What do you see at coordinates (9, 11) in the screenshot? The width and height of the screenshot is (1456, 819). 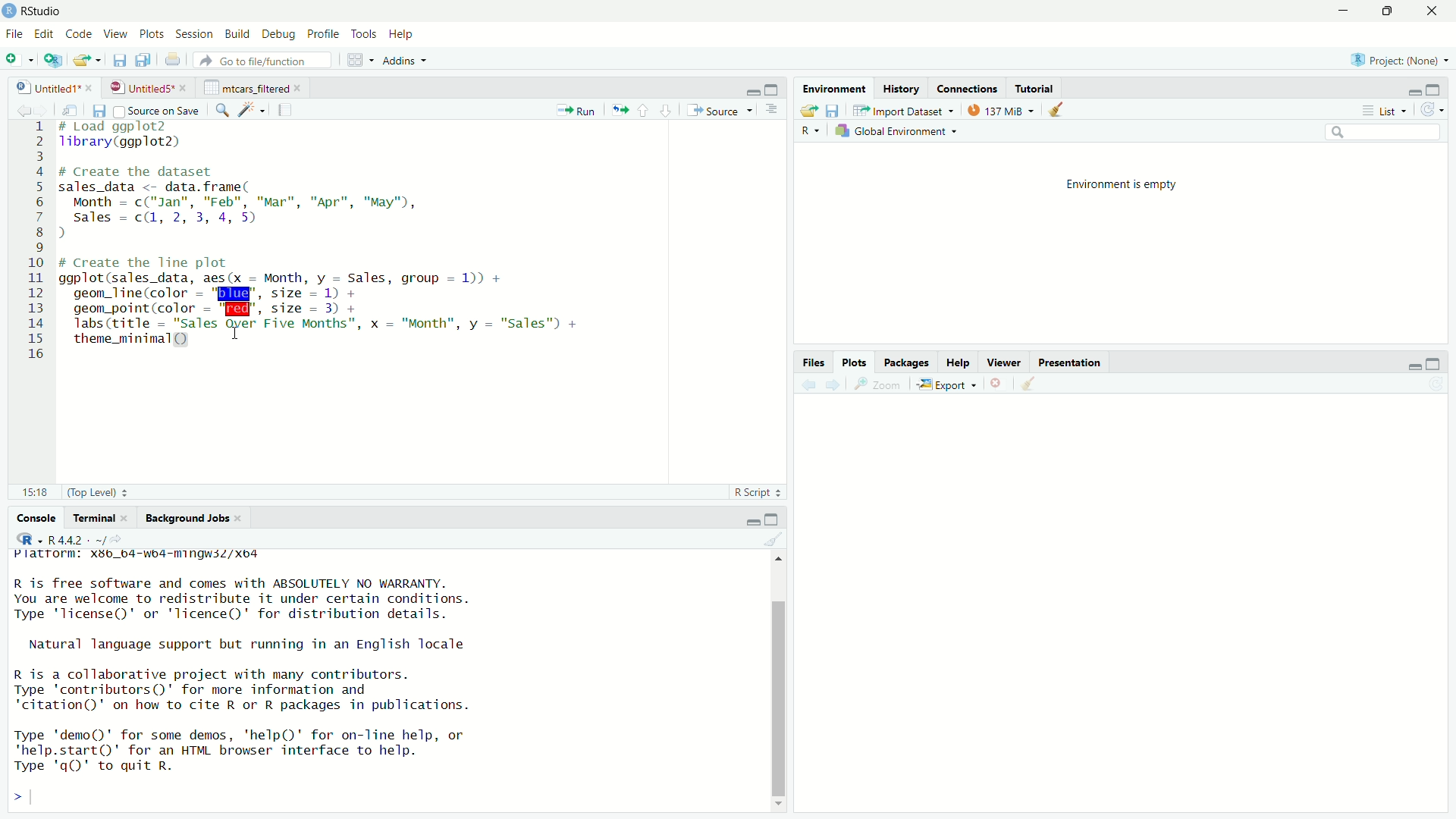 I see `app icon` at bounding box center [9, 11].